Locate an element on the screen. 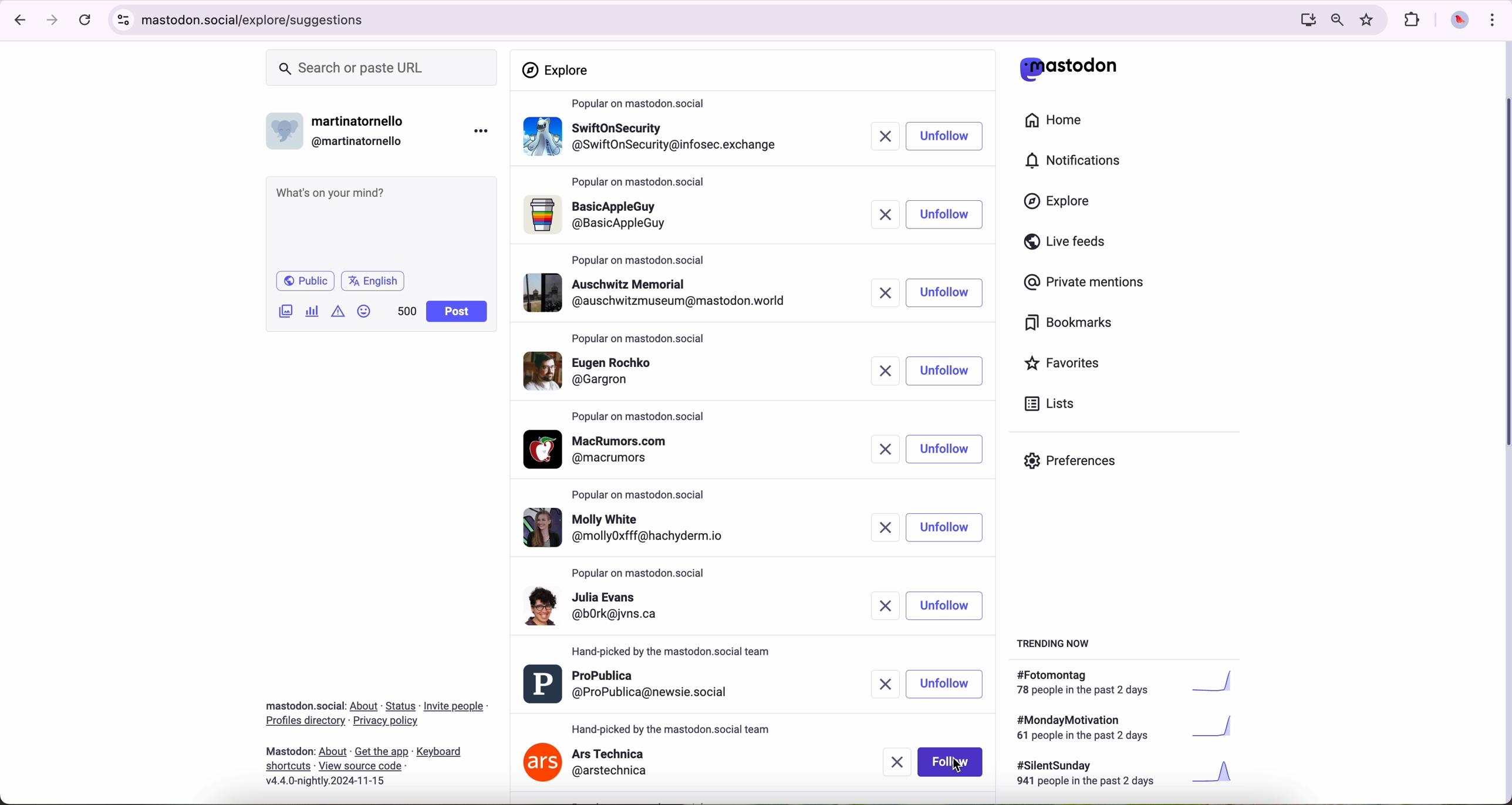  follow is located at coordinates (943, 215).